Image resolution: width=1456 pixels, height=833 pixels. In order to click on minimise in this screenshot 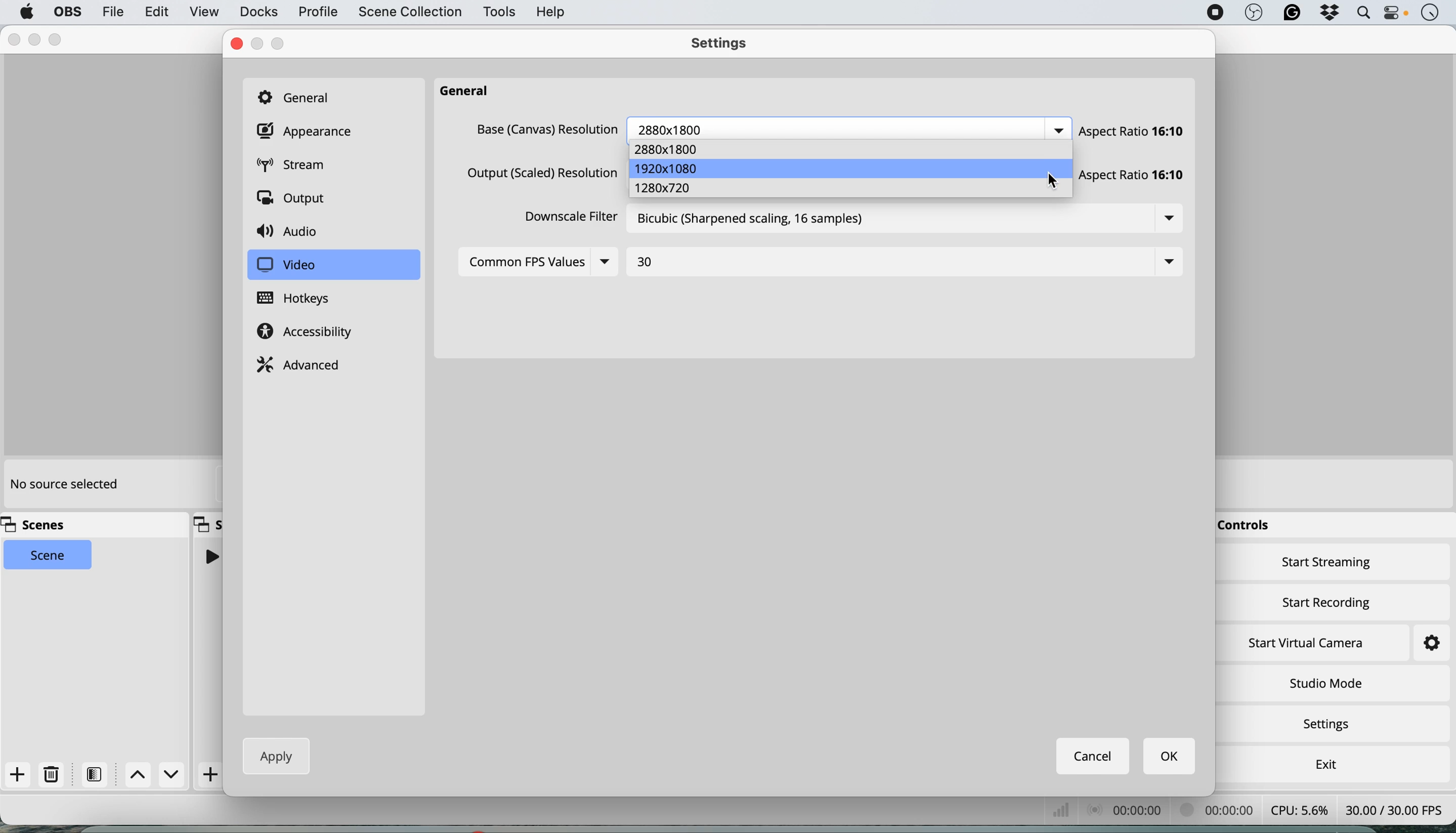, I will do `click(34, 39)`.